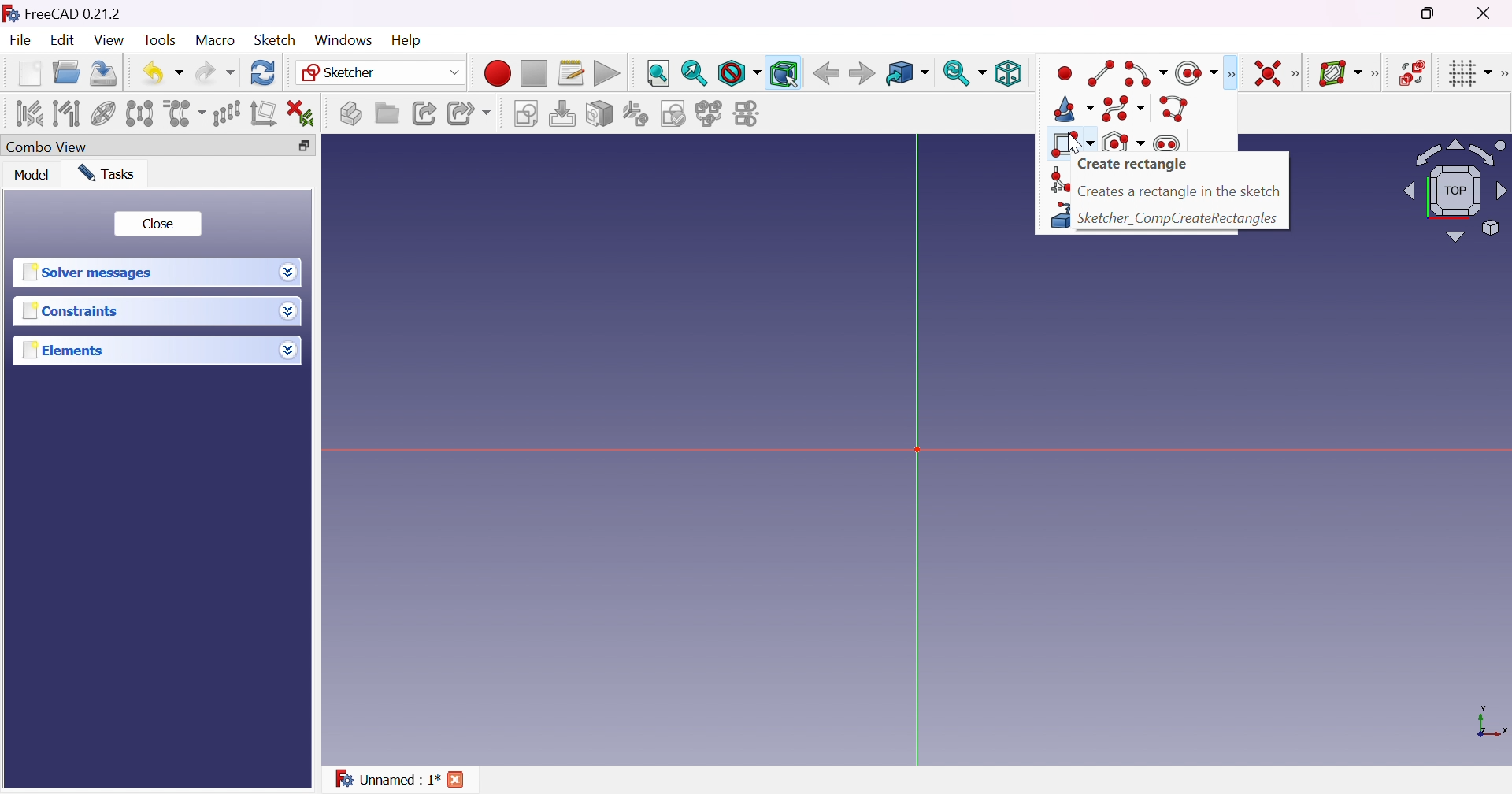  What do you see at coordinates (534, 72) in the screenshot?
I see `Stop macro recording...` at bounding box center [534, 72].